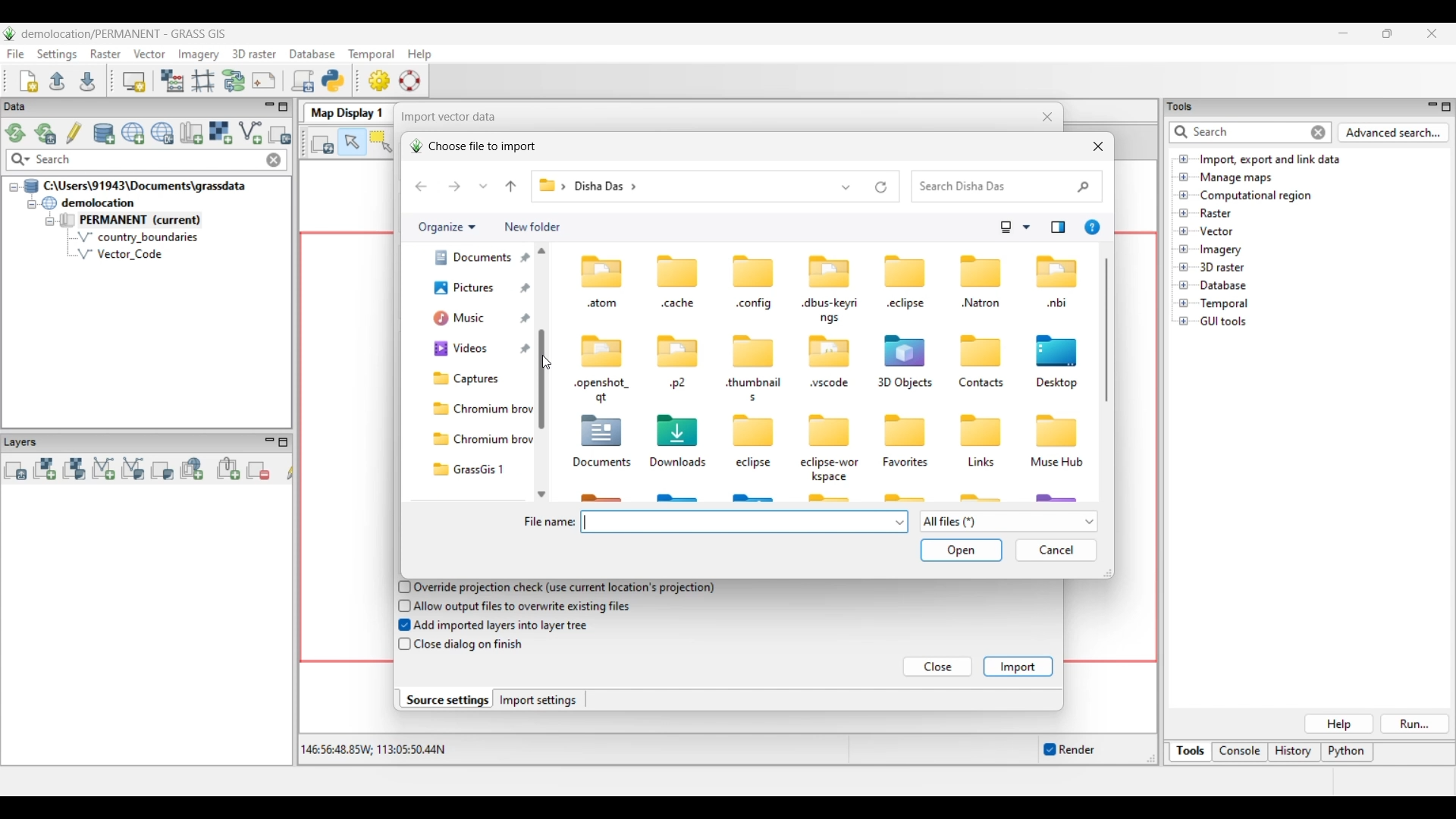 Image resolution: width=1456 pixels, height=819 pixels. Describe the element at coordinates (133, 133) in the screenshot. I see `Create new project (location) to current GRASS database` at that location.